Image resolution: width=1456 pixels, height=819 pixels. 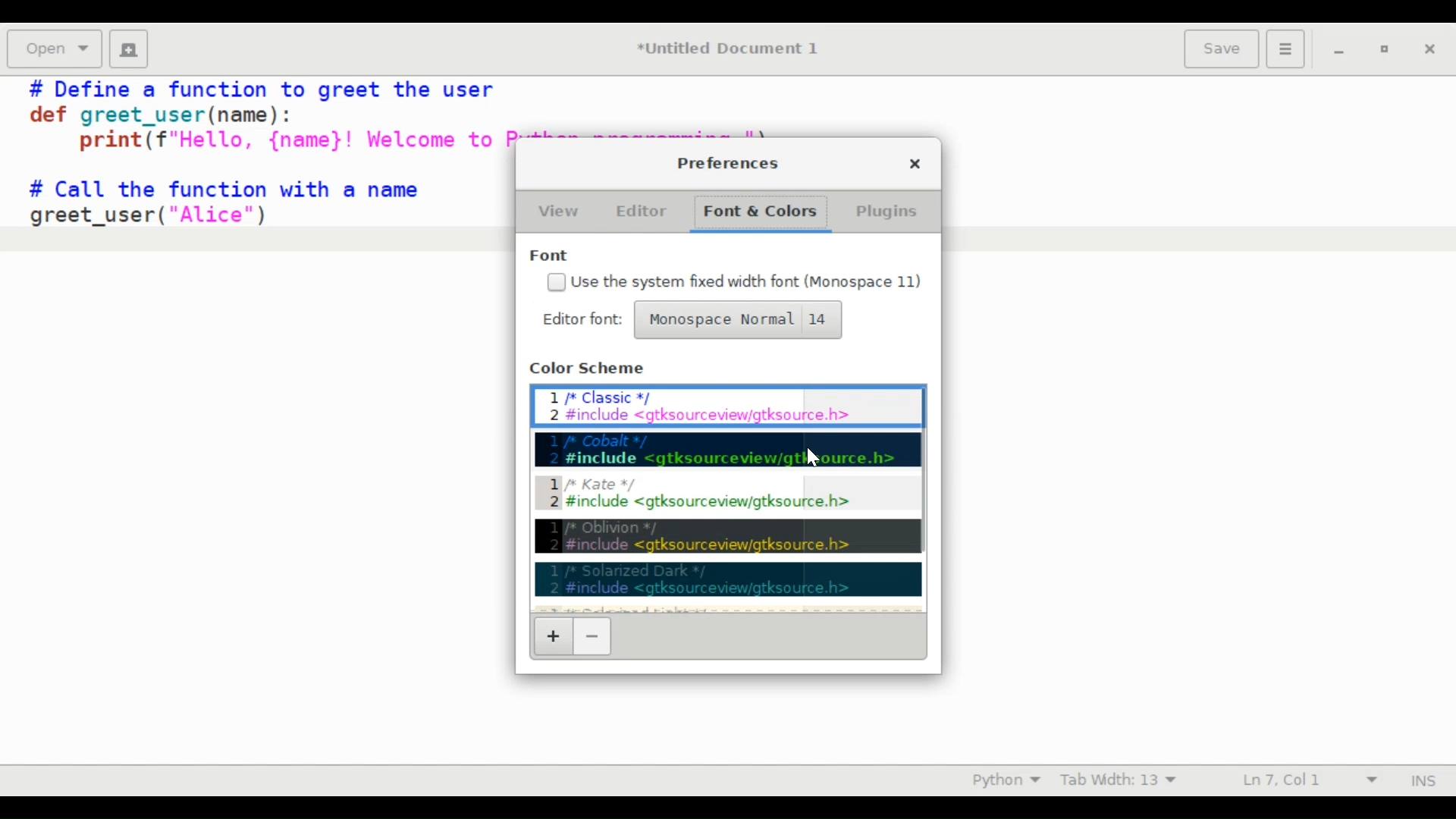 What do you see at coordinates (731, 494) in the screenshot?
I see `Kate` at bounding box center [731, 494].